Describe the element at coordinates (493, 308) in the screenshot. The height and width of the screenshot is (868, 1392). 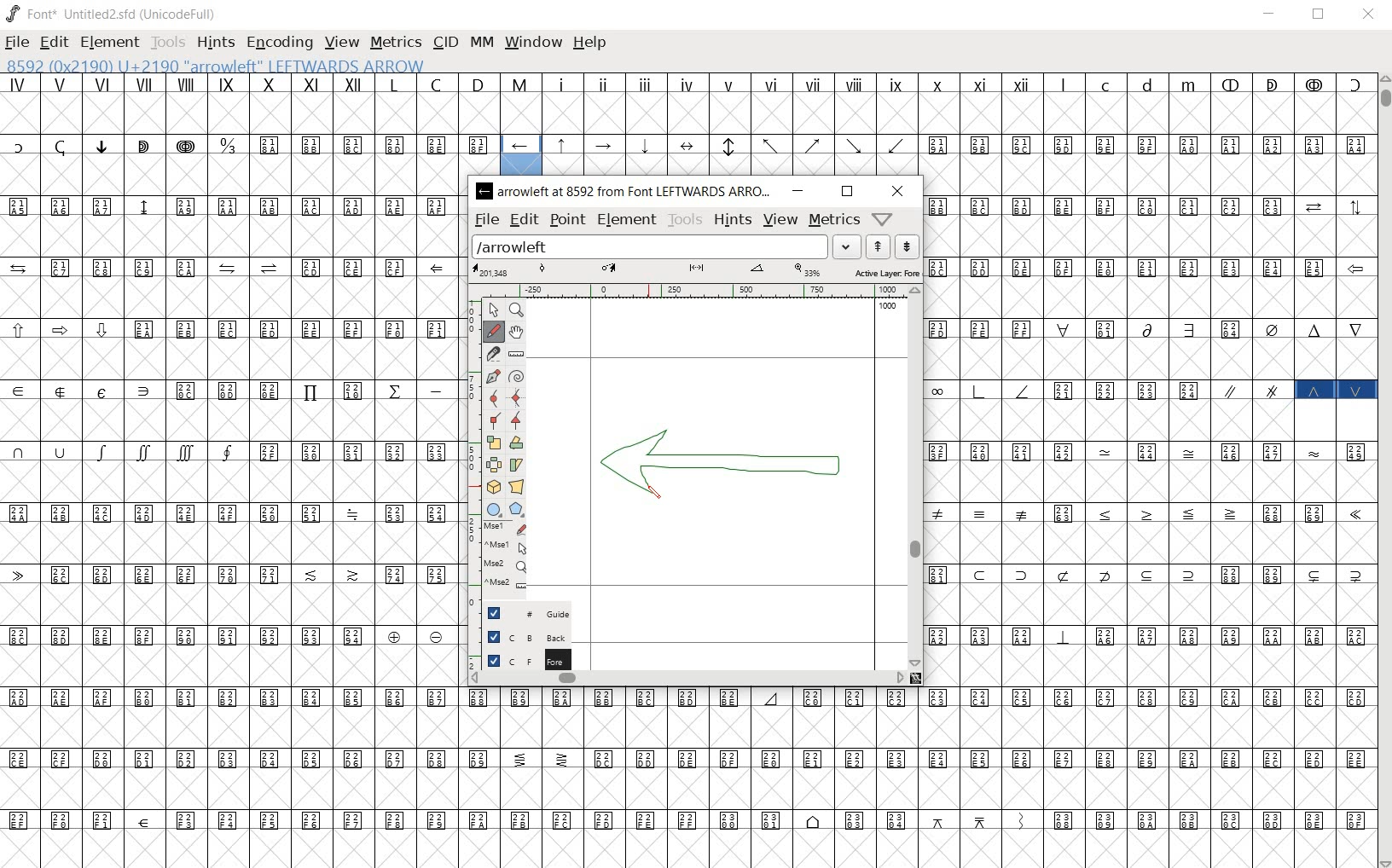
I see `pointer` at that location.